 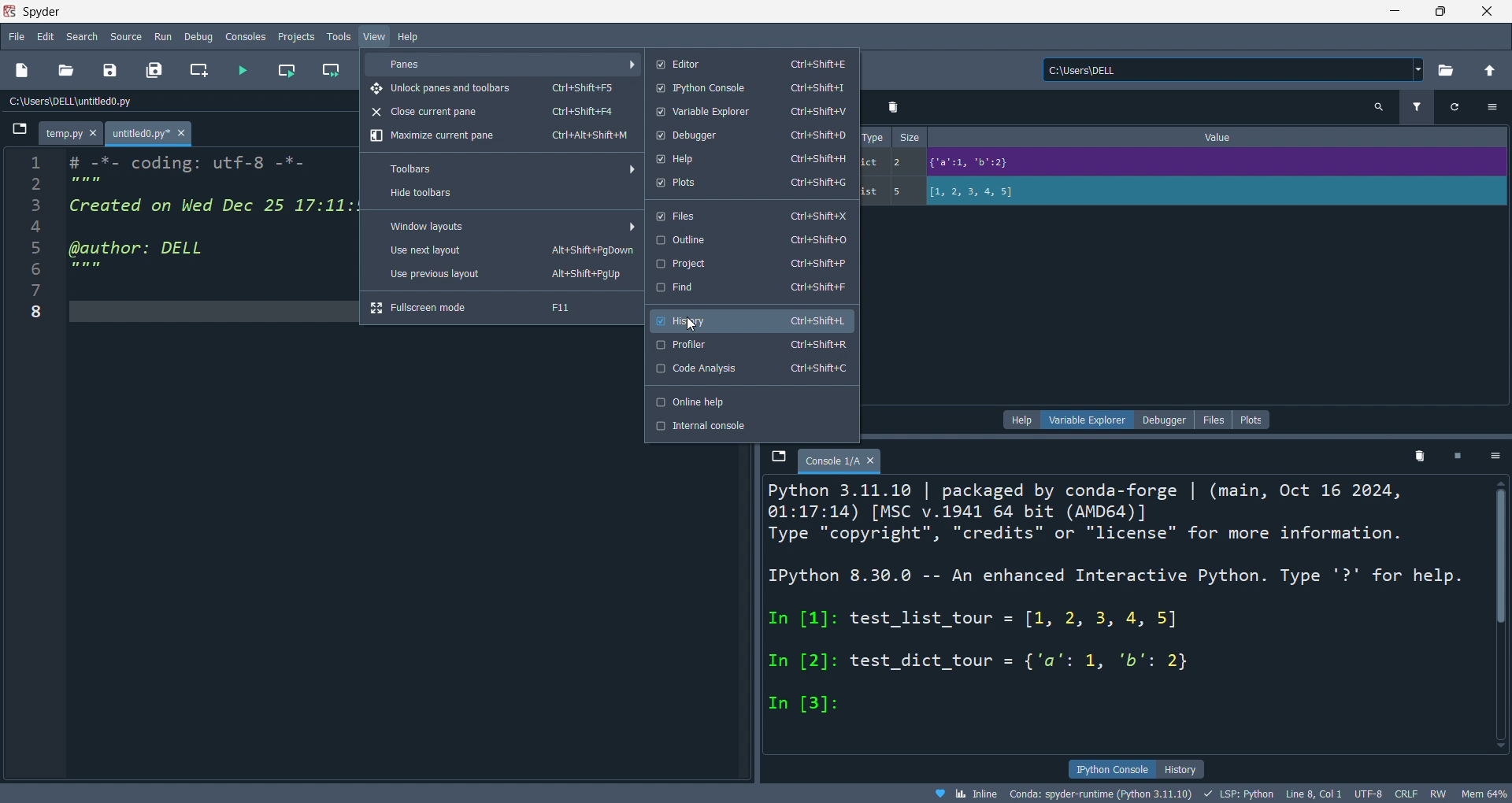 What do you see at coordinates (748, 63) in the screenshot?
I see `editor` at bounding box center [748, 63].